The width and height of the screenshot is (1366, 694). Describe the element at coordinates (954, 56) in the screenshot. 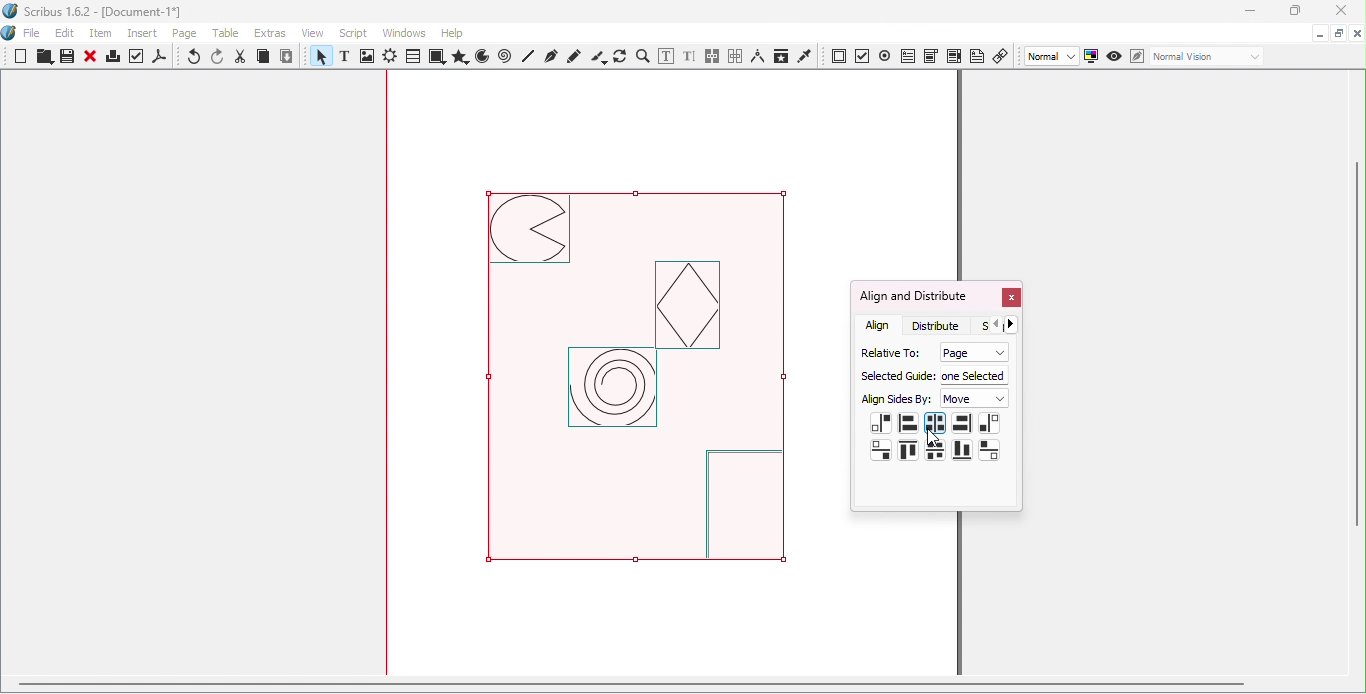

I see `PDF list box` at that location.